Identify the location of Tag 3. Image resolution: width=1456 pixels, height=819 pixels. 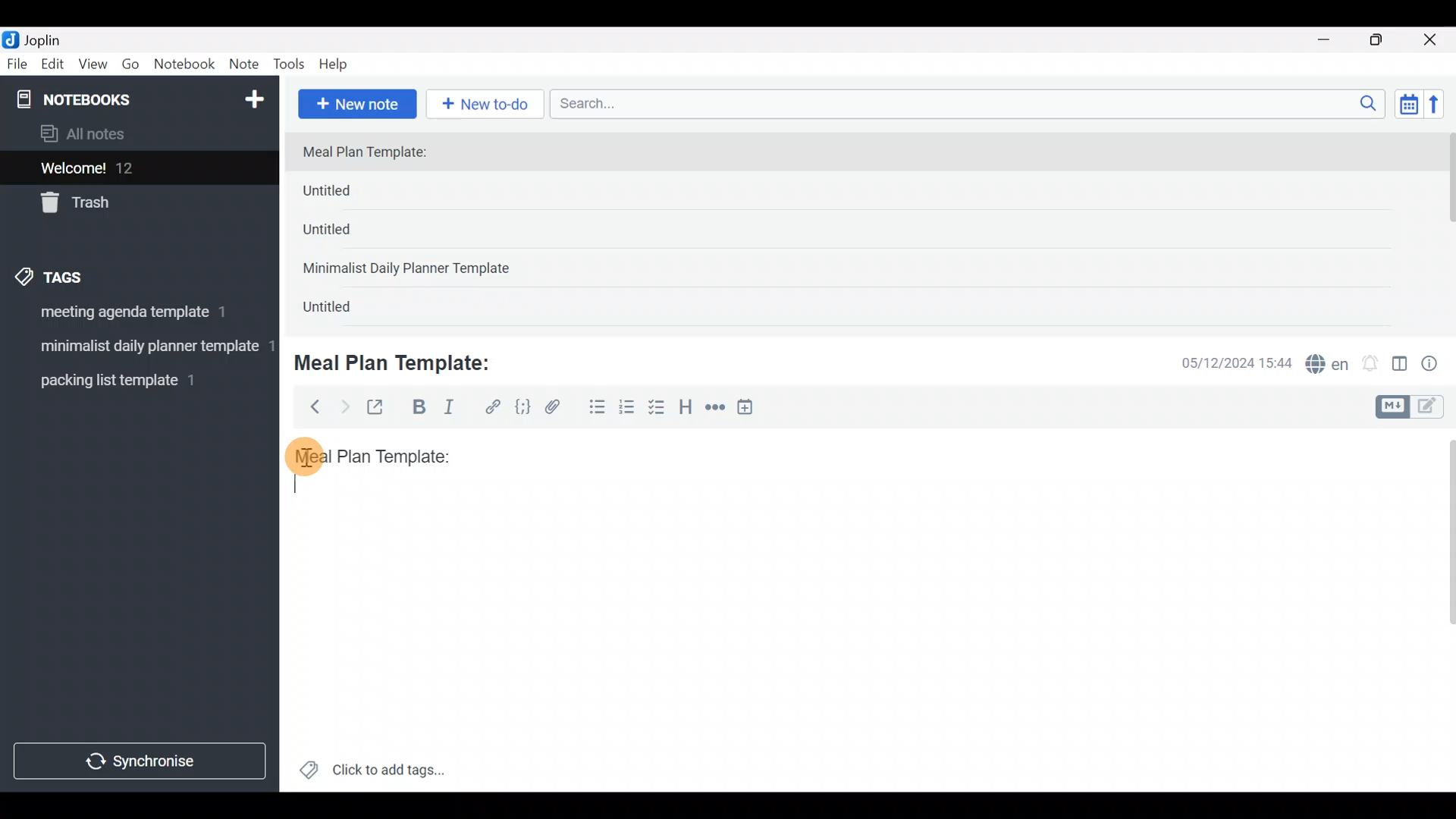
(134, 380).